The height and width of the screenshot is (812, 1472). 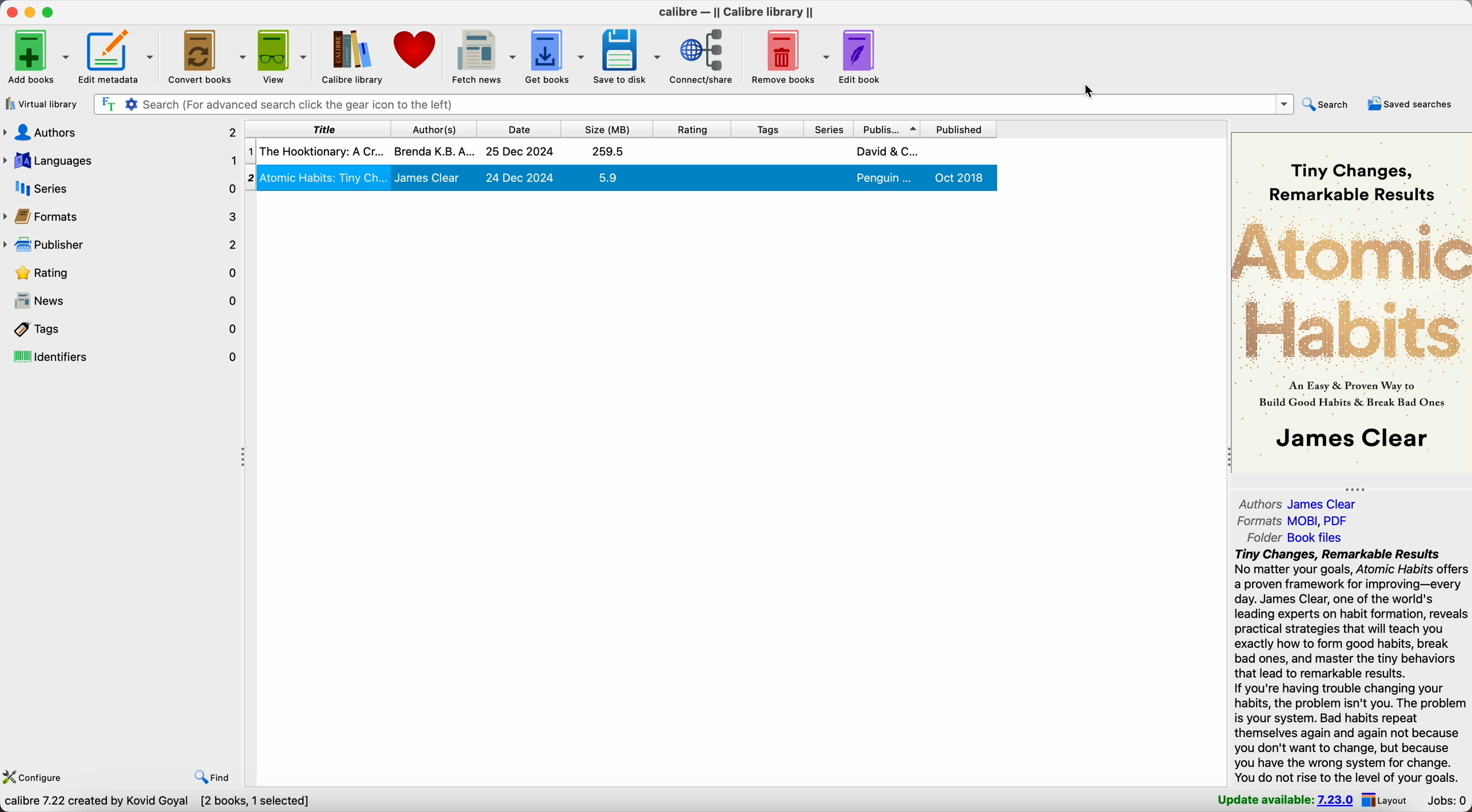 I want to click on languages, so click(x=121, y=162).